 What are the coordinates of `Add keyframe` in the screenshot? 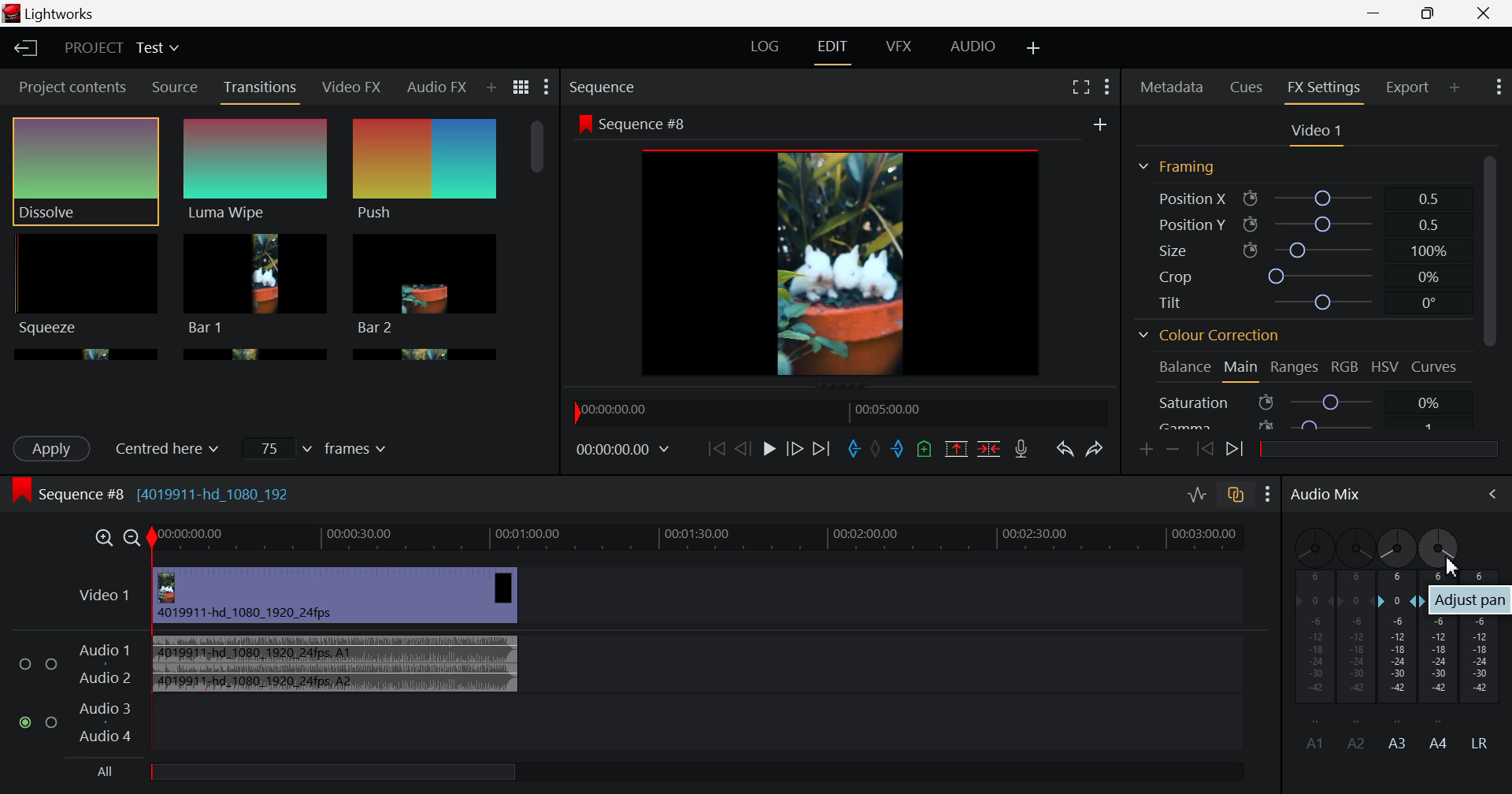 It's located at (1143, 451).